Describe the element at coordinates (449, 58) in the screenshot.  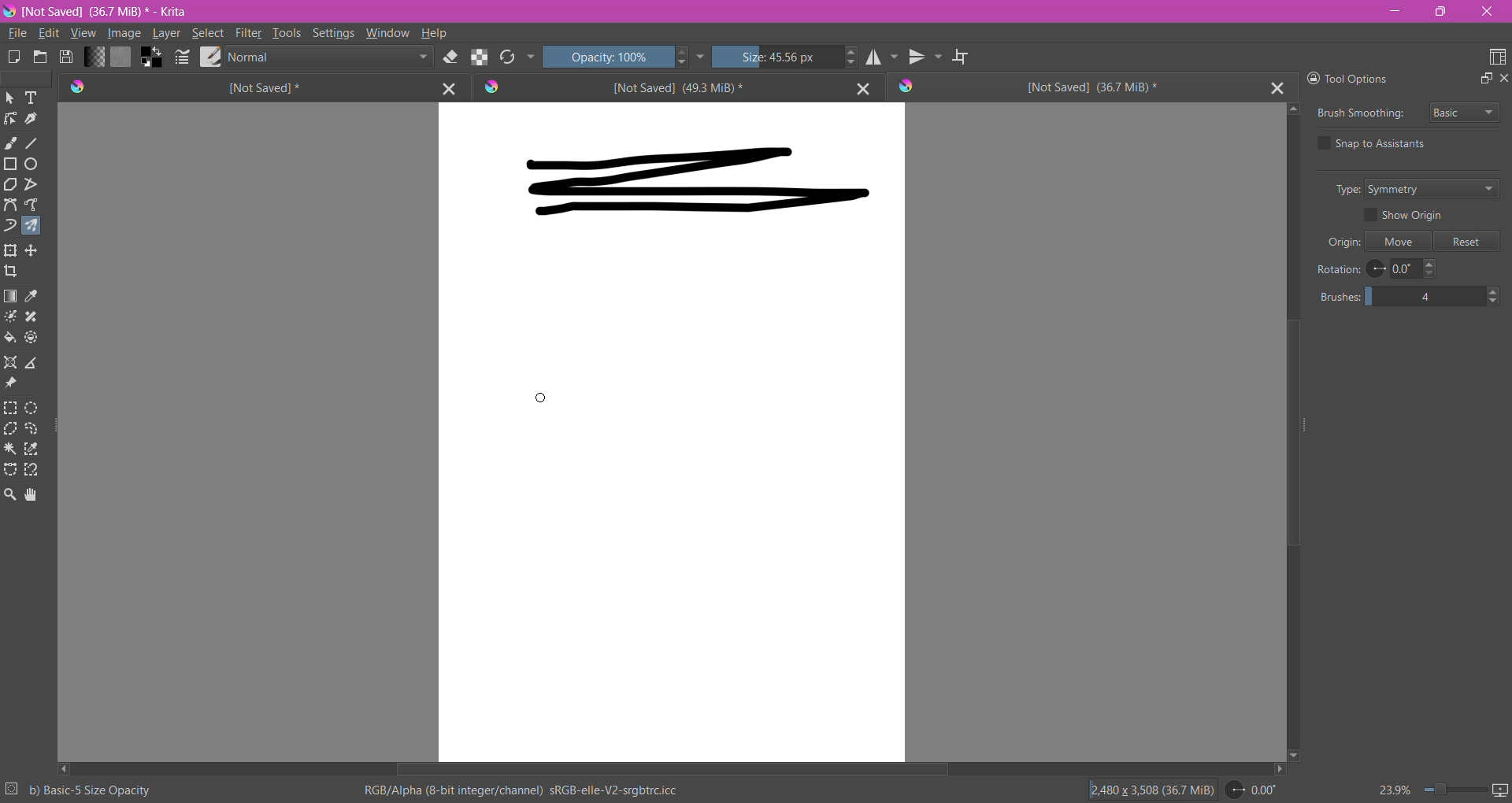
I see `Set Eraser Mode` at that location.